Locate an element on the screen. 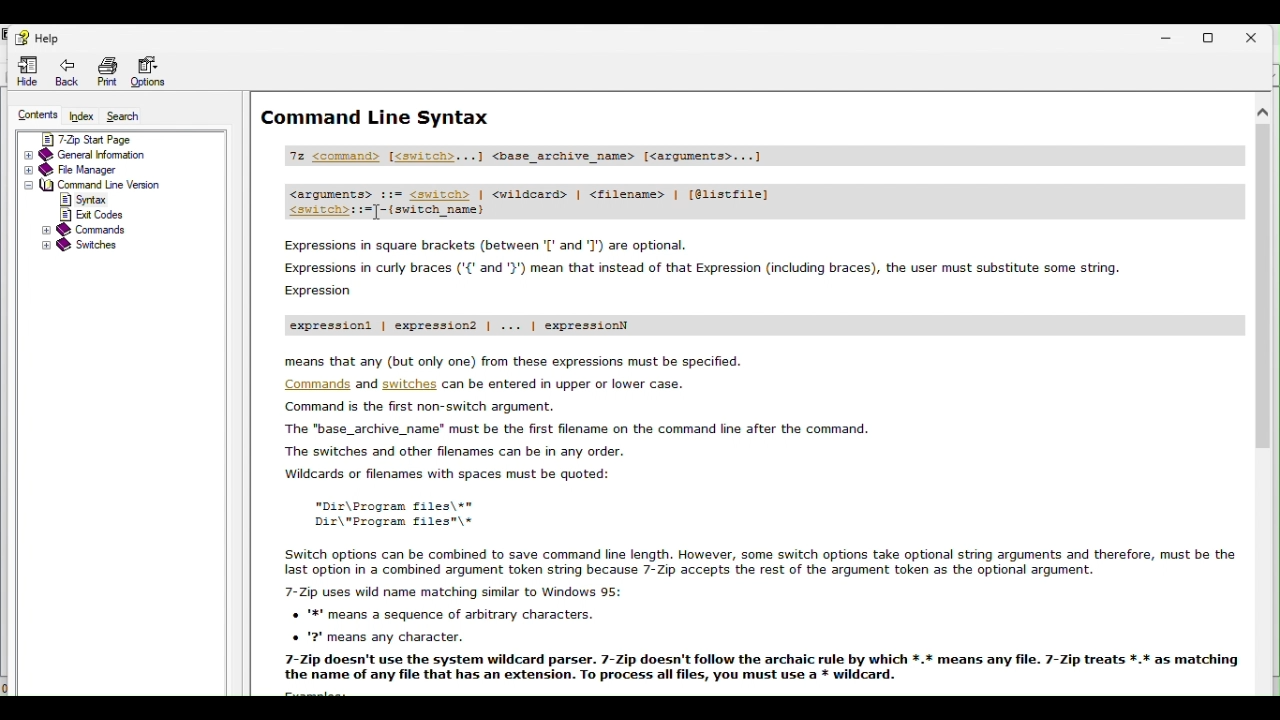  switch name is located at coordinates (420, 212).